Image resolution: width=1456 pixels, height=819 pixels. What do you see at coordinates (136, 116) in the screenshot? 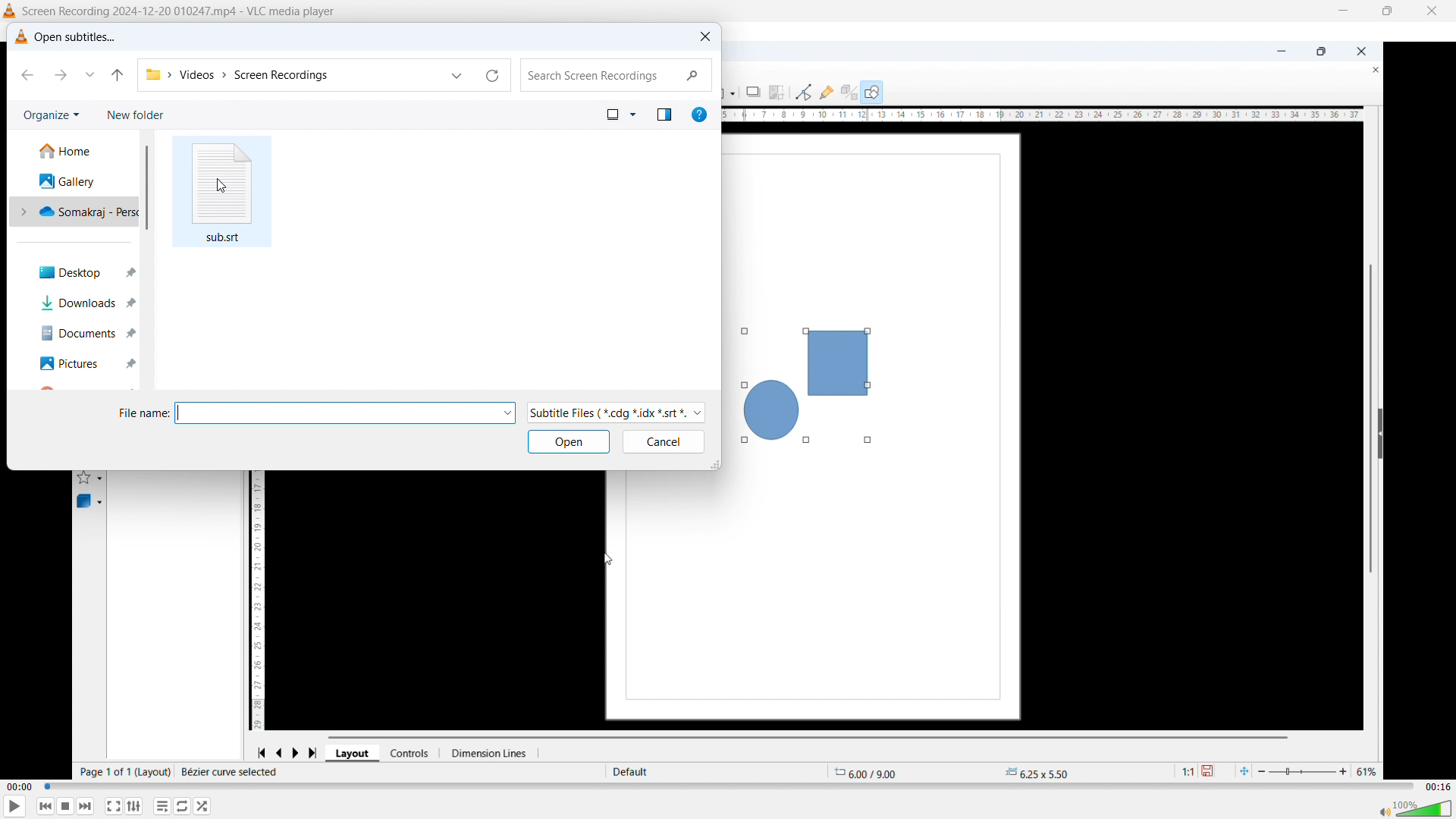
I see `New folder ` at bounding box center [136, 116].